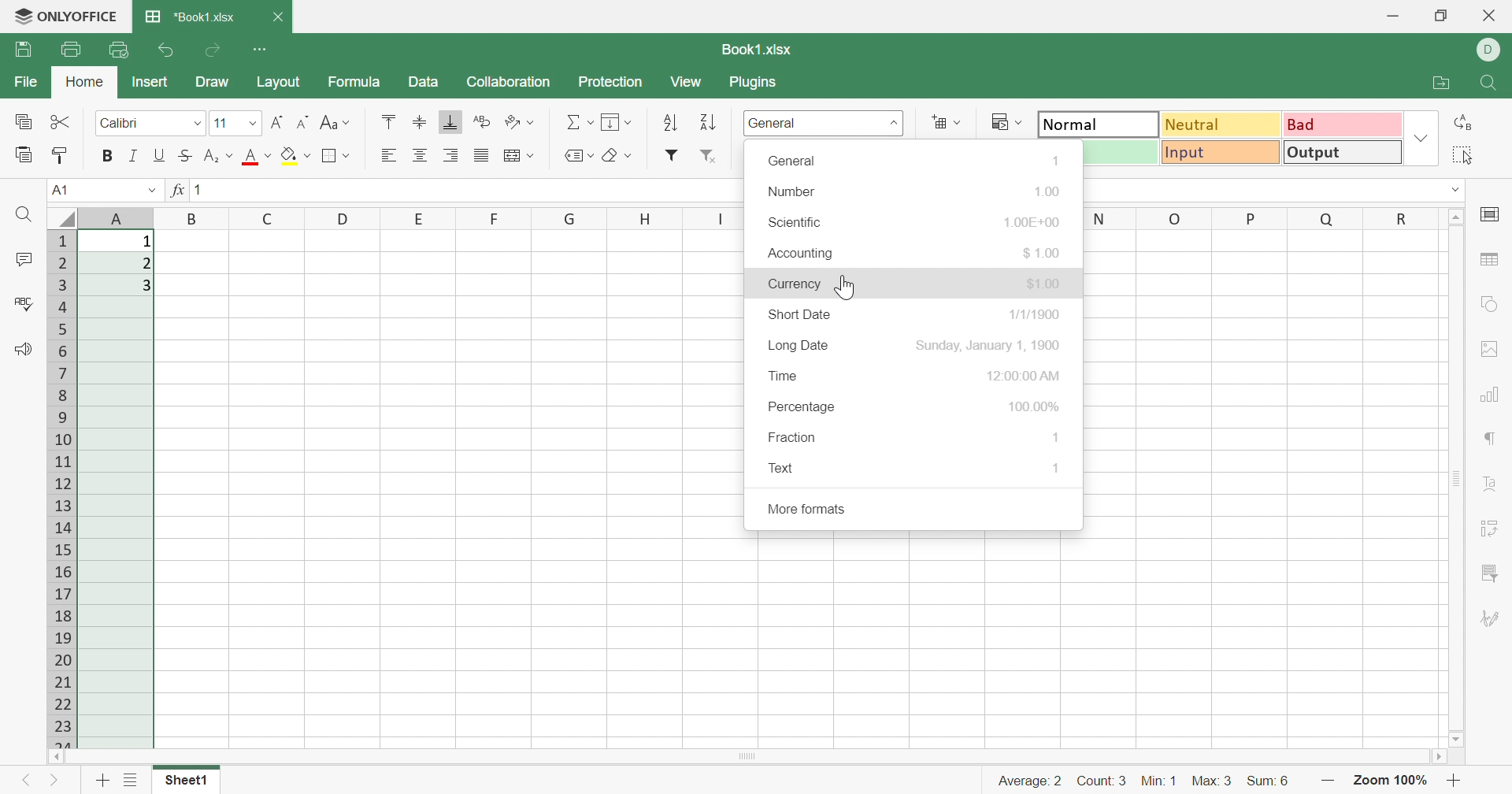 The height and width of the screenshot is (794, 1512). What do you see at coordinates (510, 82) in the screenshot?
I see `Collaboration` at bounding box center [510, 82].